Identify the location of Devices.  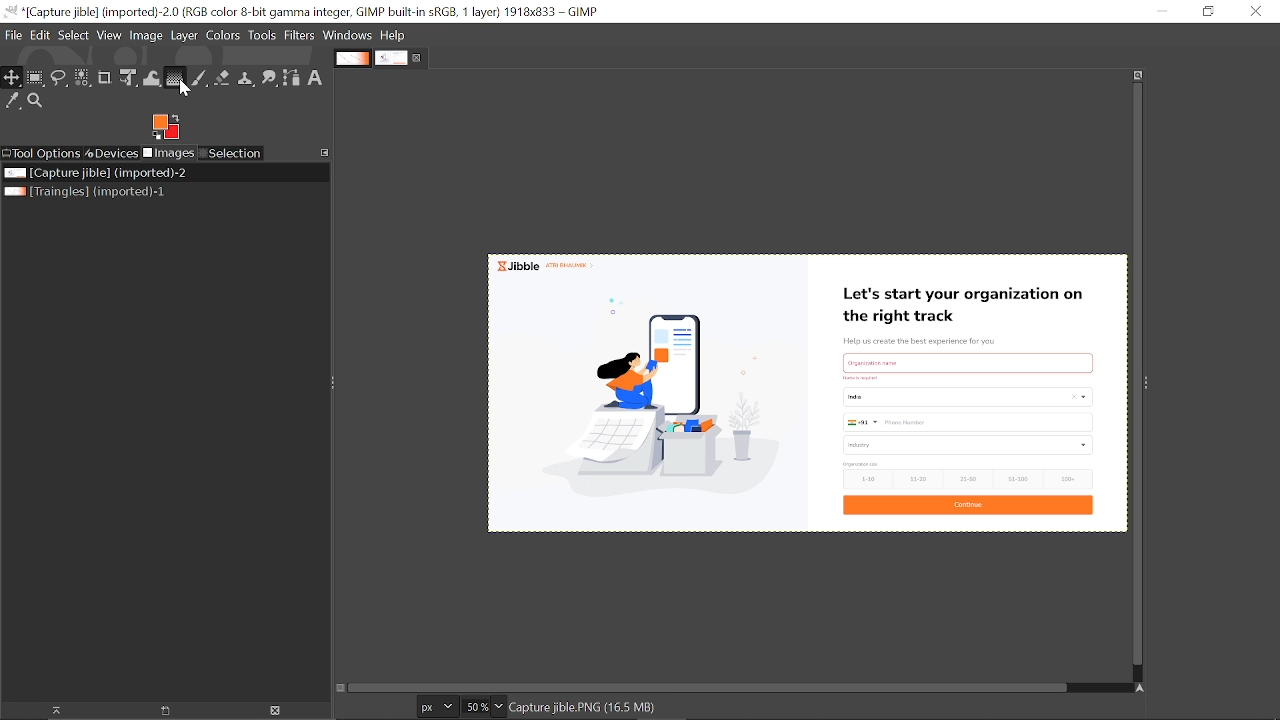
(112, 153).